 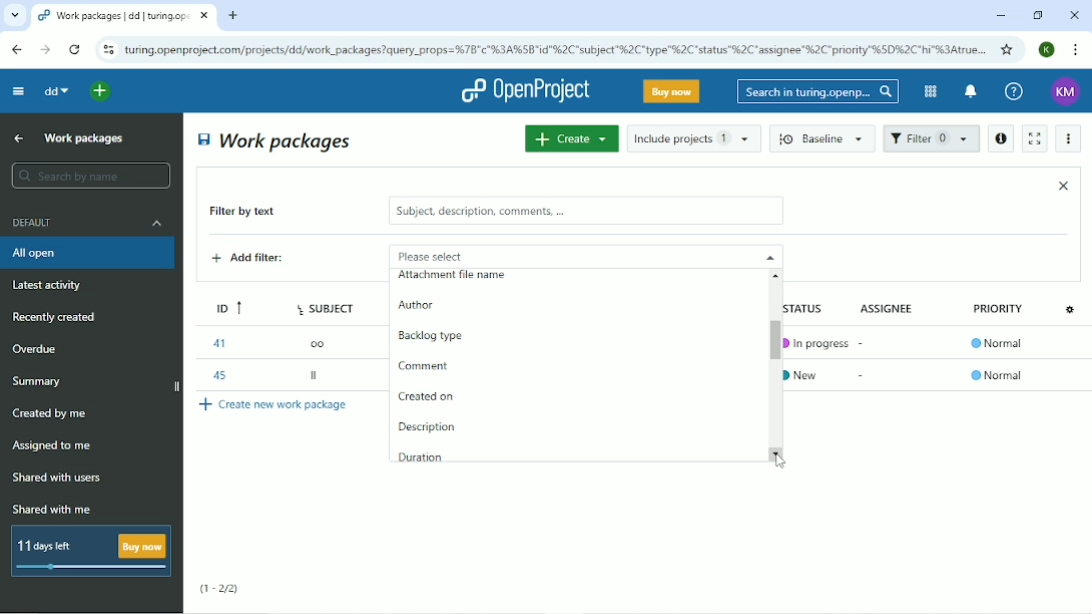 I want to click on Shared with users, so click(x=58, y=478).